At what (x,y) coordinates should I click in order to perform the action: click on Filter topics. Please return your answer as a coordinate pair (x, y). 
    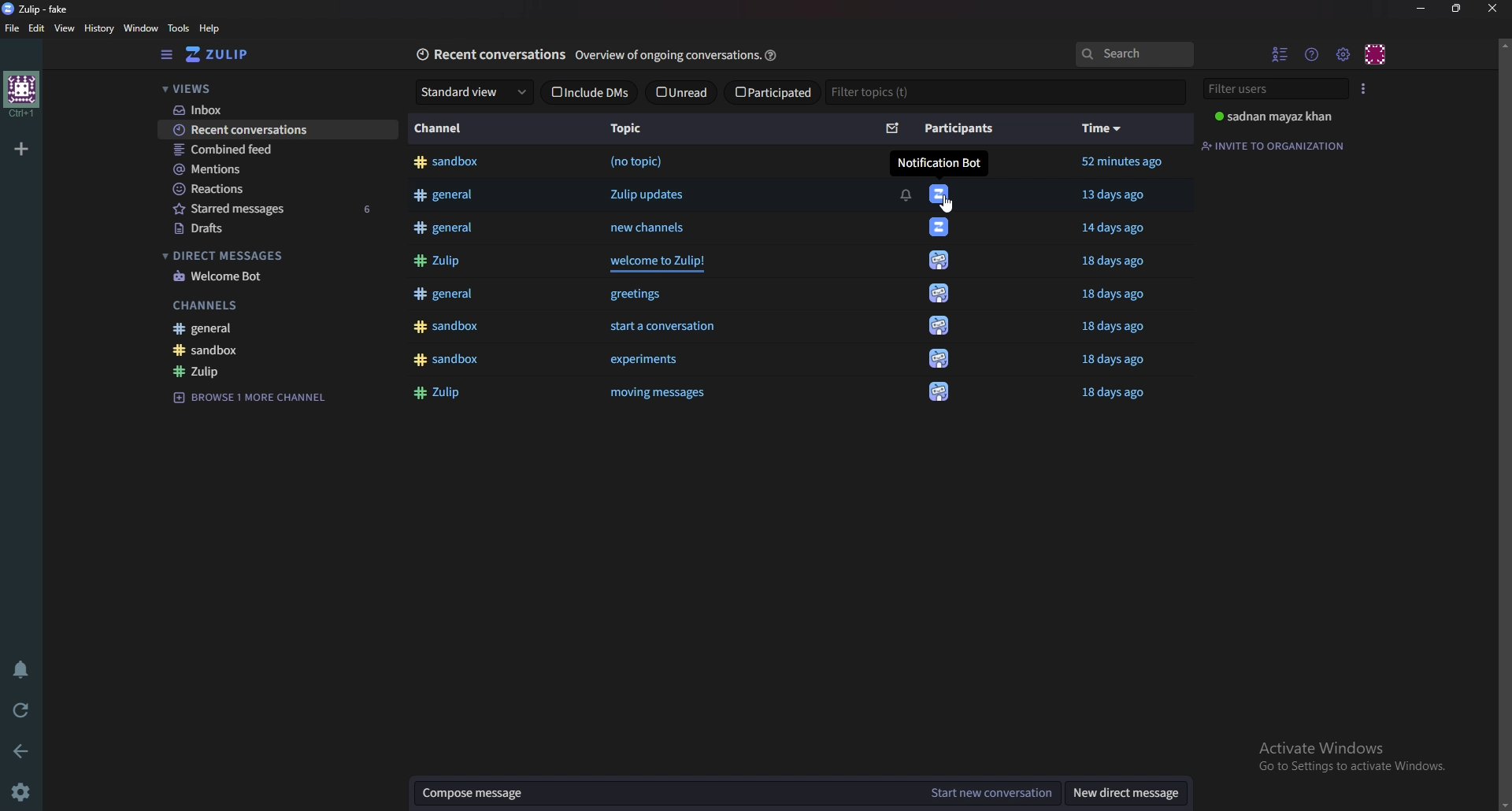
    Looking at the image, I should click on (1005, 91).